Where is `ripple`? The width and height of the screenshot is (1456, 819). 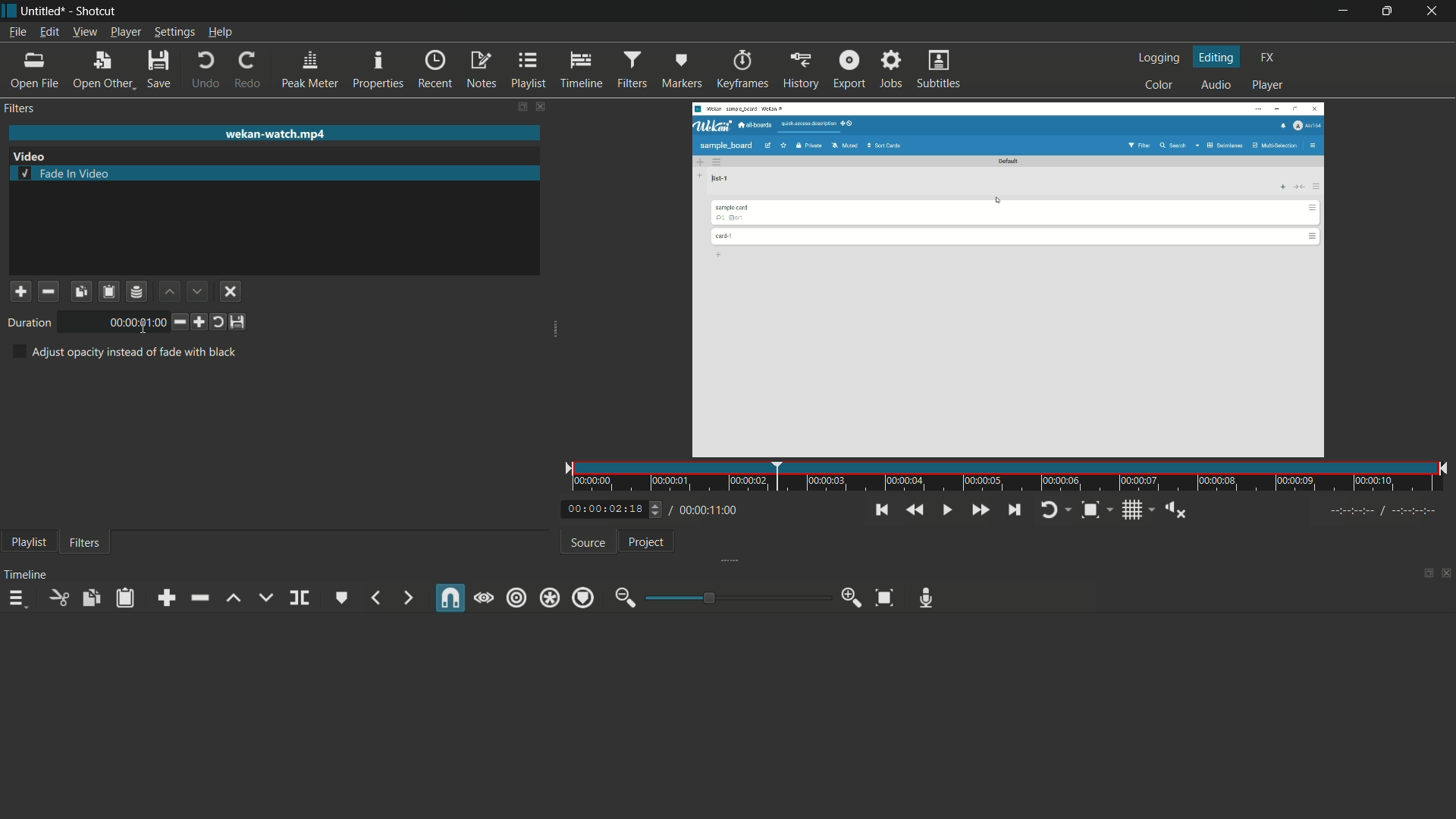
ripple is located at coordinates (517, 598).